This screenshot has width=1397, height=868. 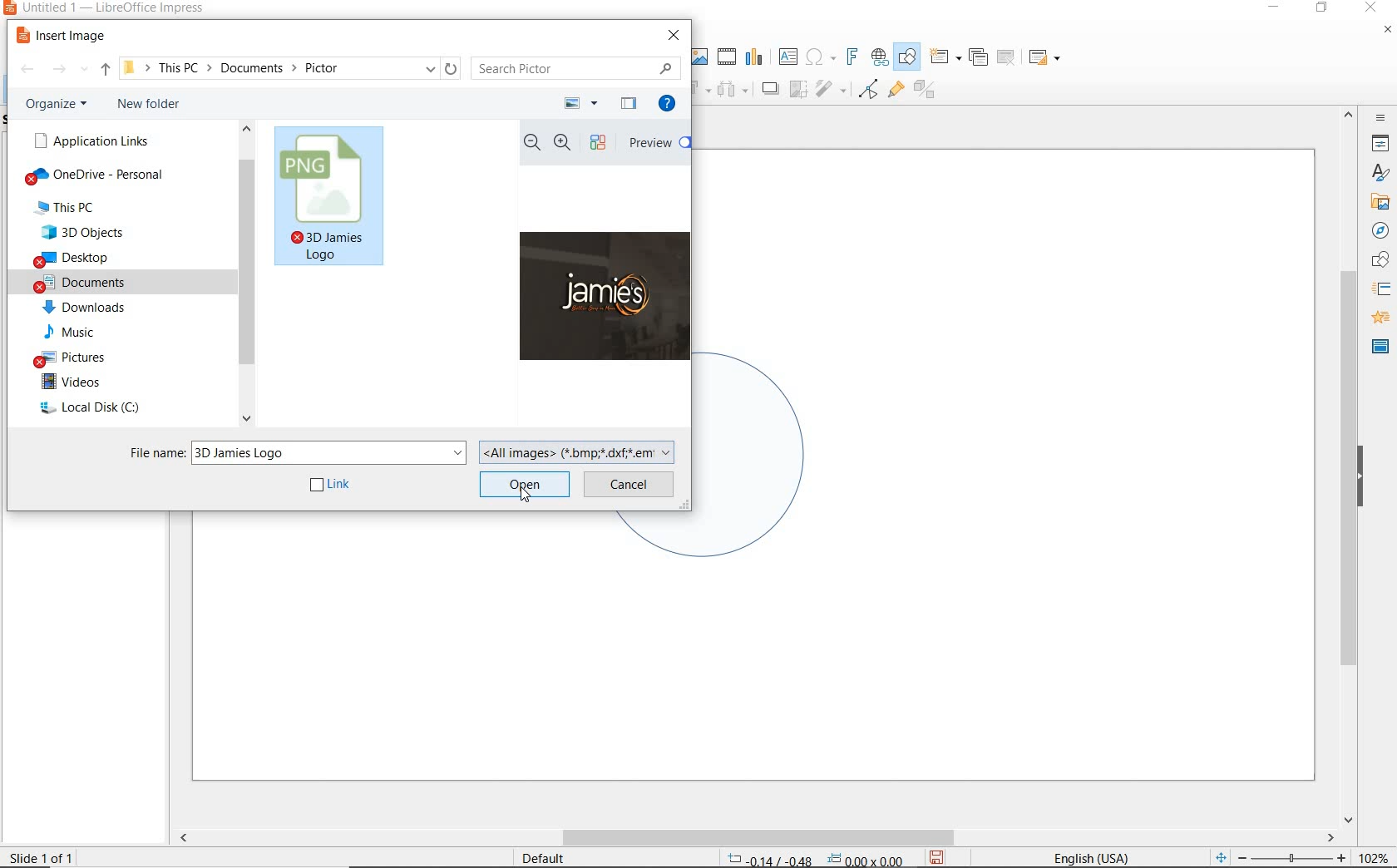 What do you see at coordinates (86, 382) in the screenshot?
I see `videos` at bounding box center [86, 382].